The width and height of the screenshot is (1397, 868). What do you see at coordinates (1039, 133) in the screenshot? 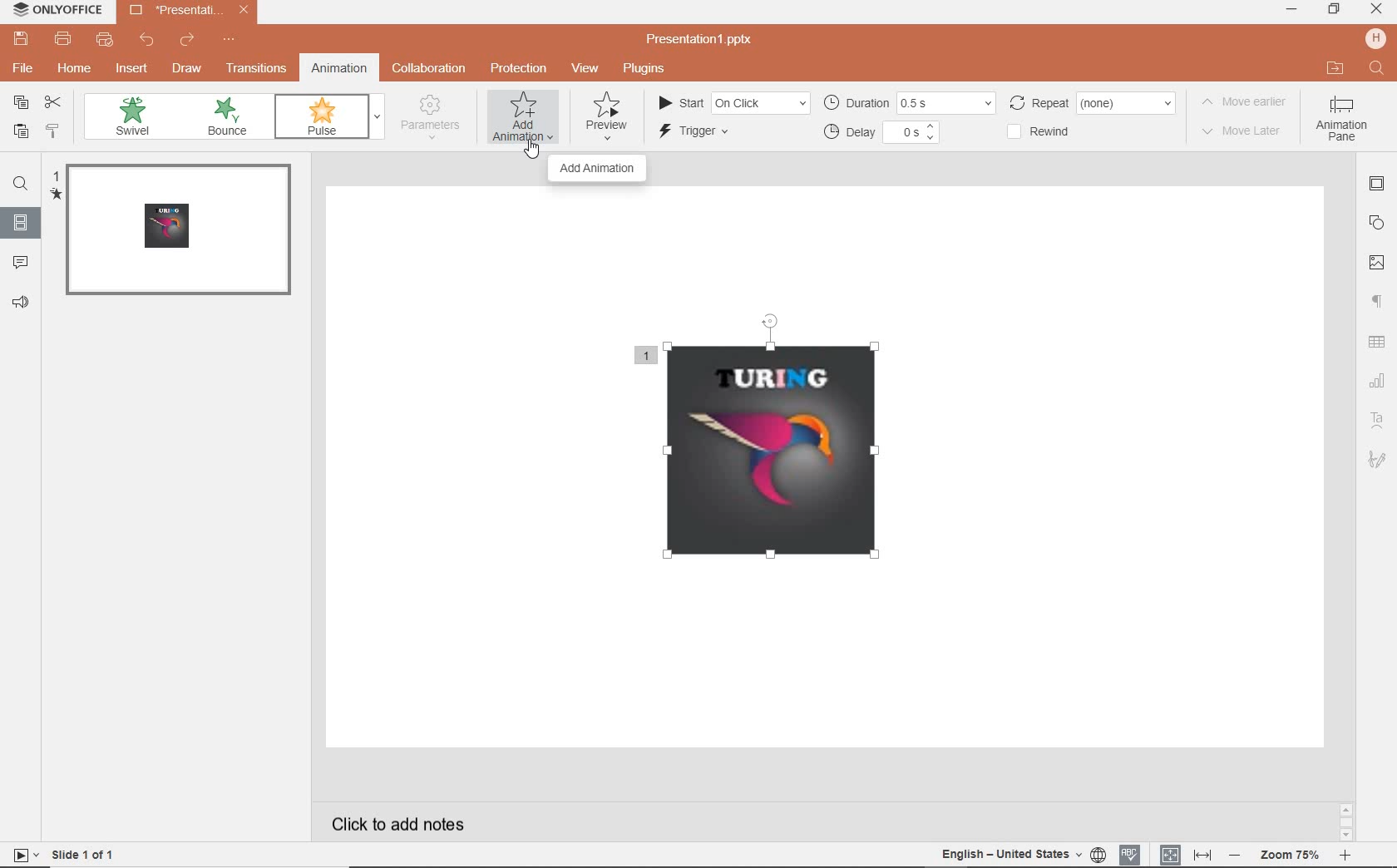
I see `rewind` at bounding box center [1039, 133].